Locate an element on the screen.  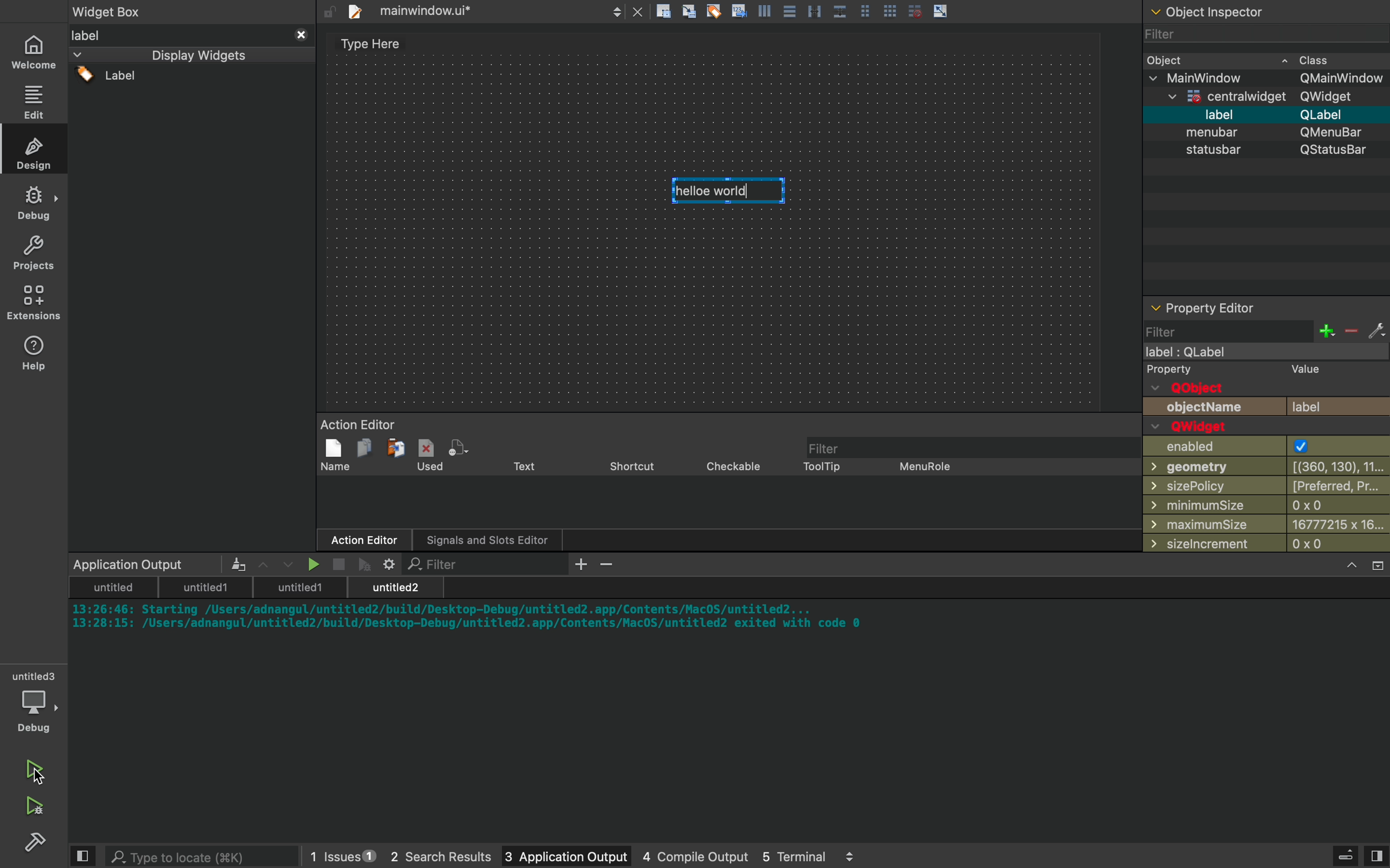
 is located at coordinates (1223, 11).